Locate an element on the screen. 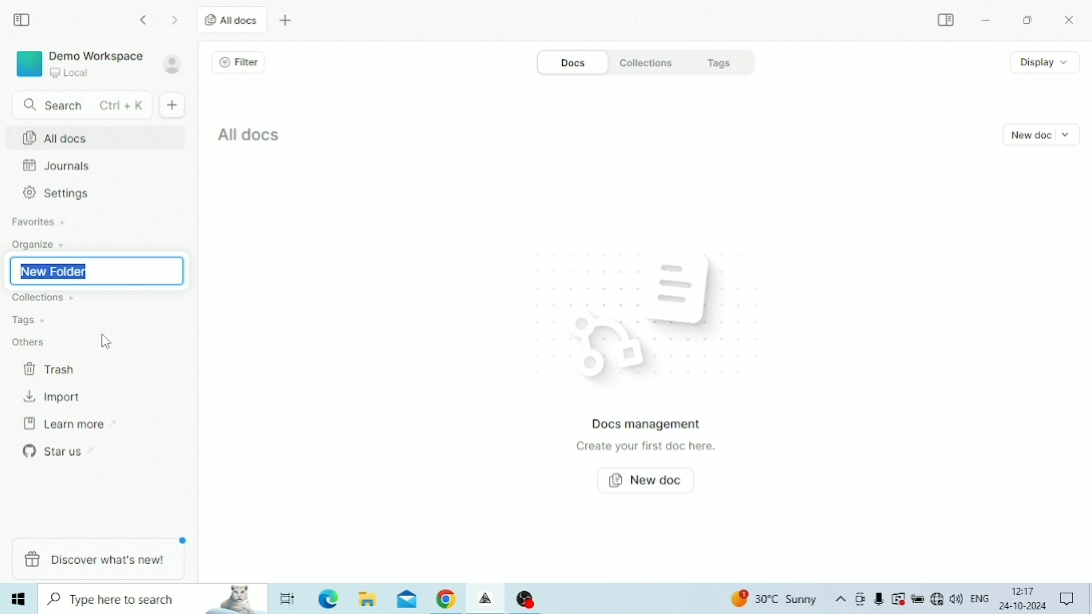 This screenshot has height=614, width=1092. Restore Down is located at coordinates (1027, 21).